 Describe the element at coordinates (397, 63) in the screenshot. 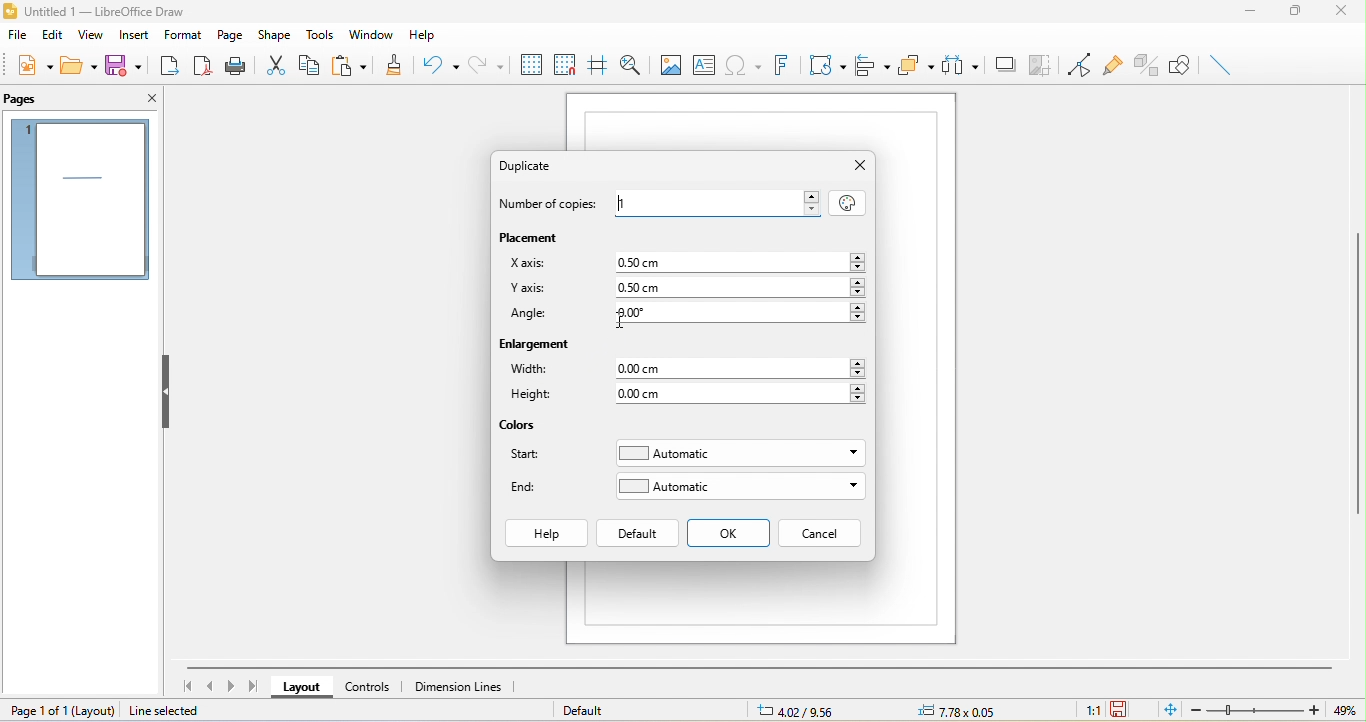

I see `clone formatting` at that location.